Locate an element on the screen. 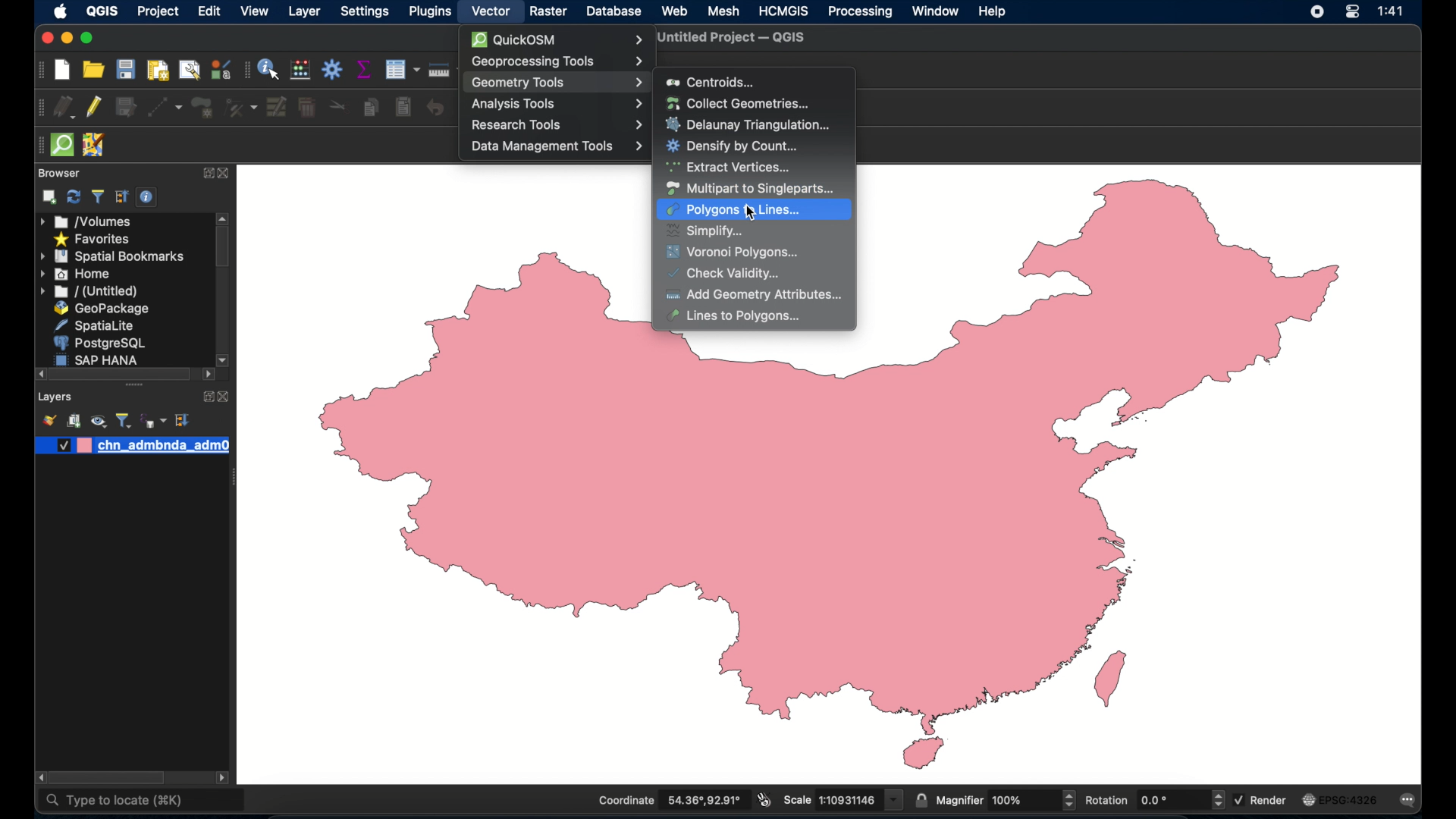 This screenshot has height=819, width=1456. scroll up arrow is located at coordinates (223, 218).